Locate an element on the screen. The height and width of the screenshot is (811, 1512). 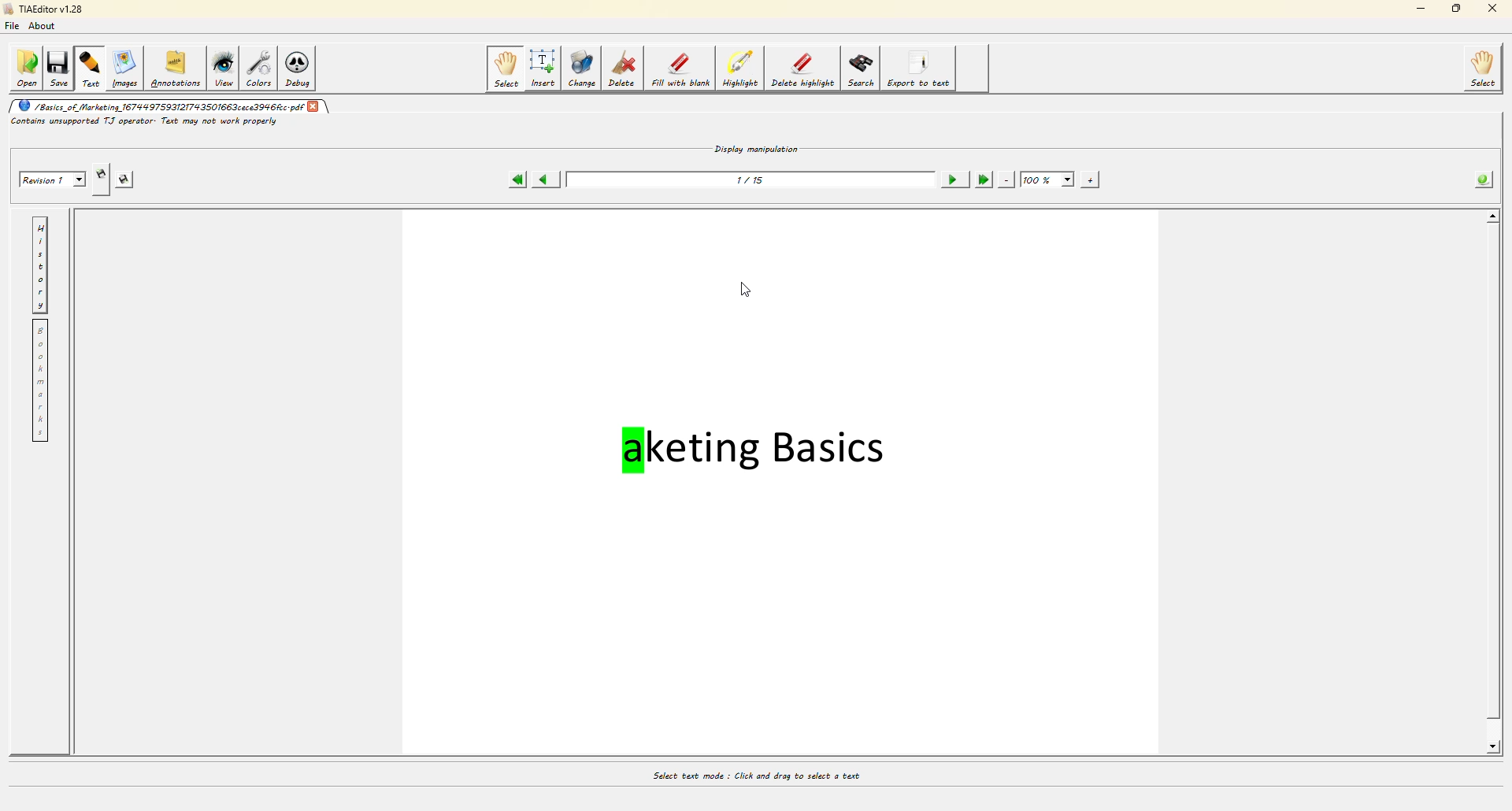
select is located at coordinates (506, 69).